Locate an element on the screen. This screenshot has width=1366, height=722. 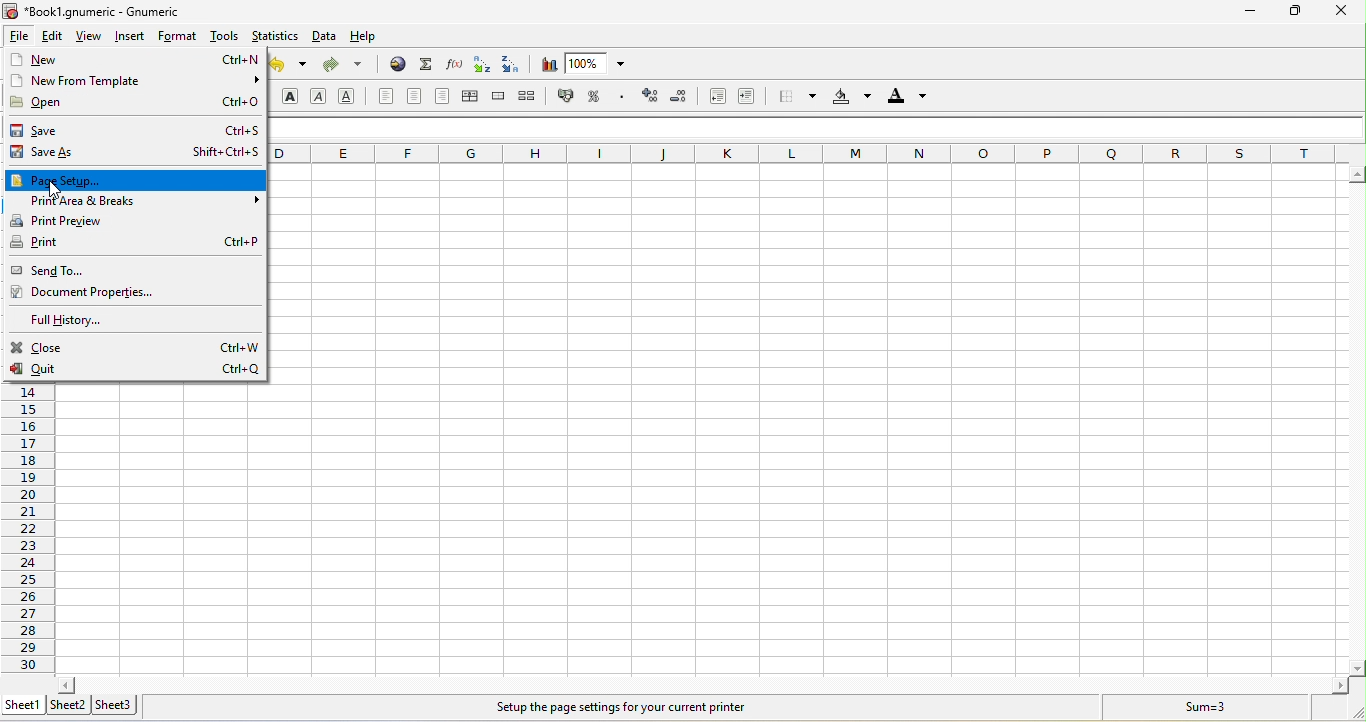
cursor movement is located at coordinates (58, 190).